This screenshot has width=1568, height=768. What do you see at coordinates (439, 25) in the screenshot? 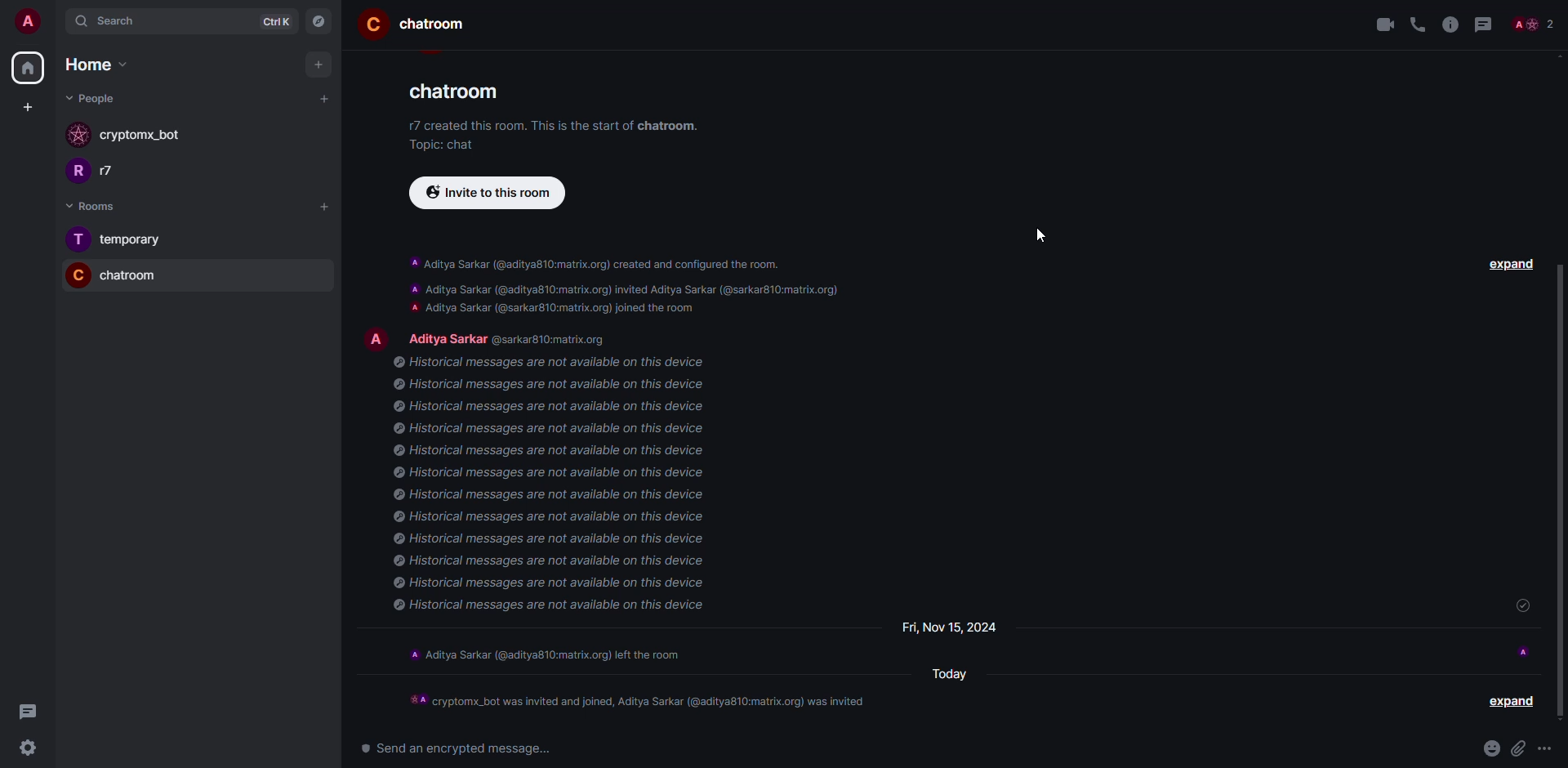
I see `room` at bounding box center [439, 25].